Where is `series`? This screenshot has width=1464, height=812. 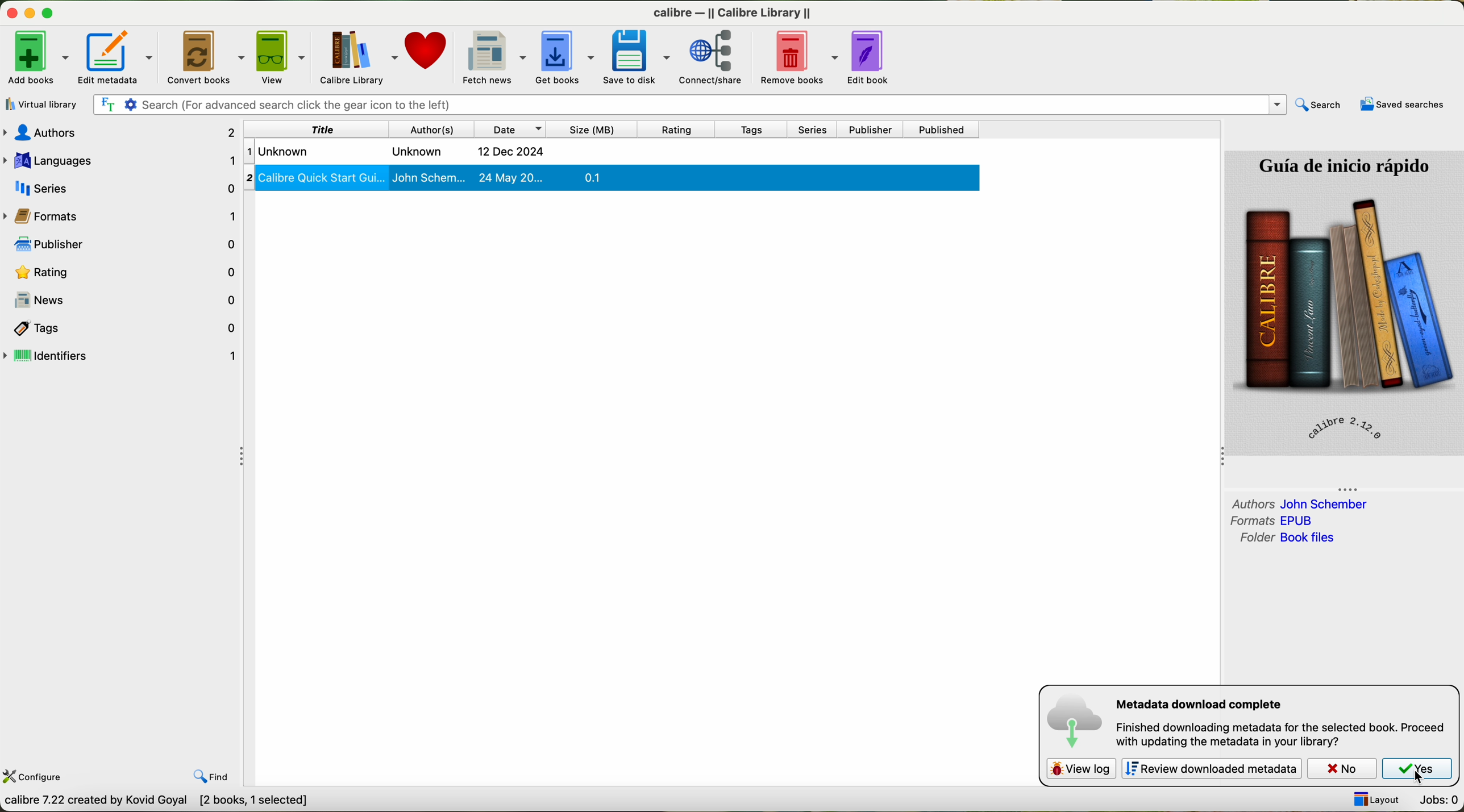 series is located at coordinates (123, 188).